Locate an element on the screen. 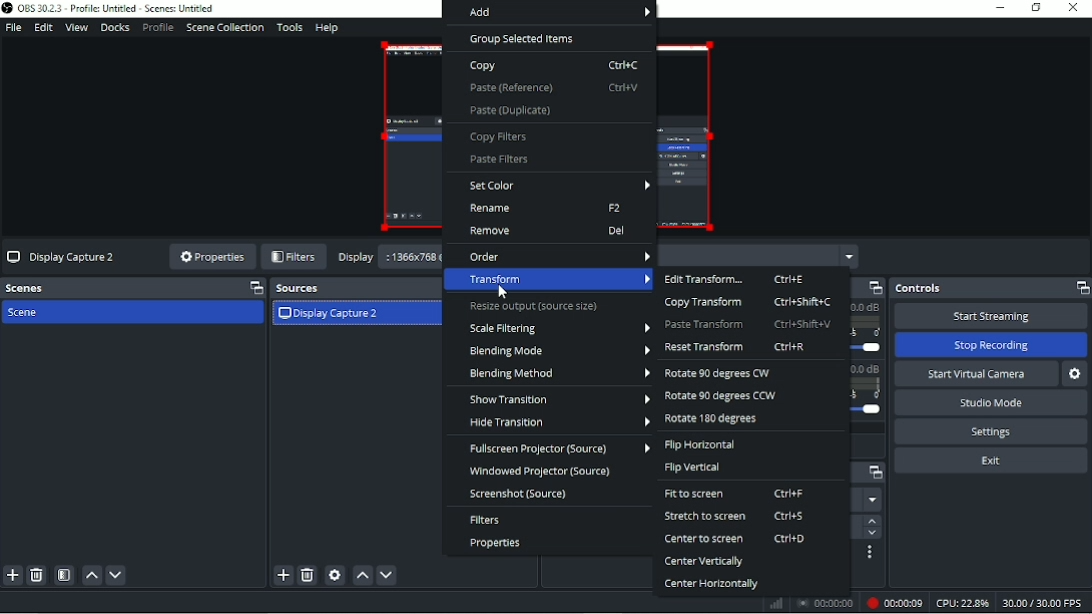 This screenshot has height=614, width=1092. Display is located at coordinates (356, 257).